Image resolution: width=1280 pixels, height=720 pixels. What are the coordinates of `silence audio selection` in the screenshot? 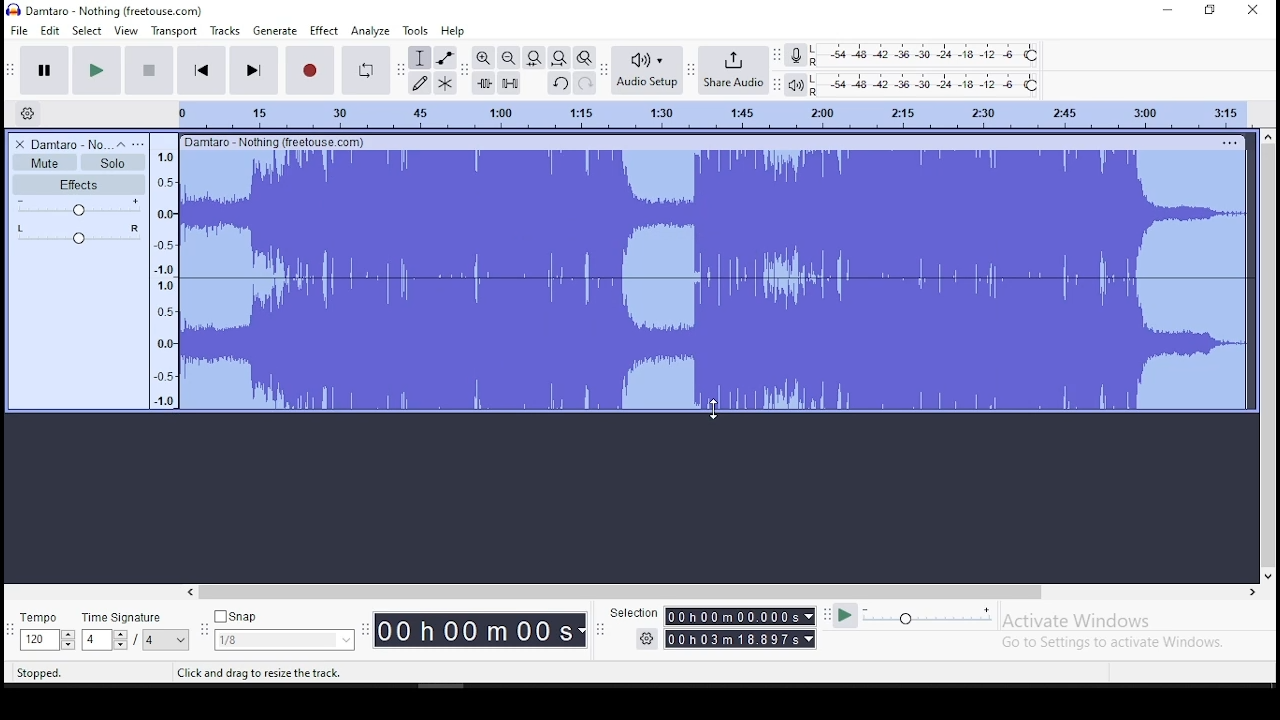 It's located at (510, 82).